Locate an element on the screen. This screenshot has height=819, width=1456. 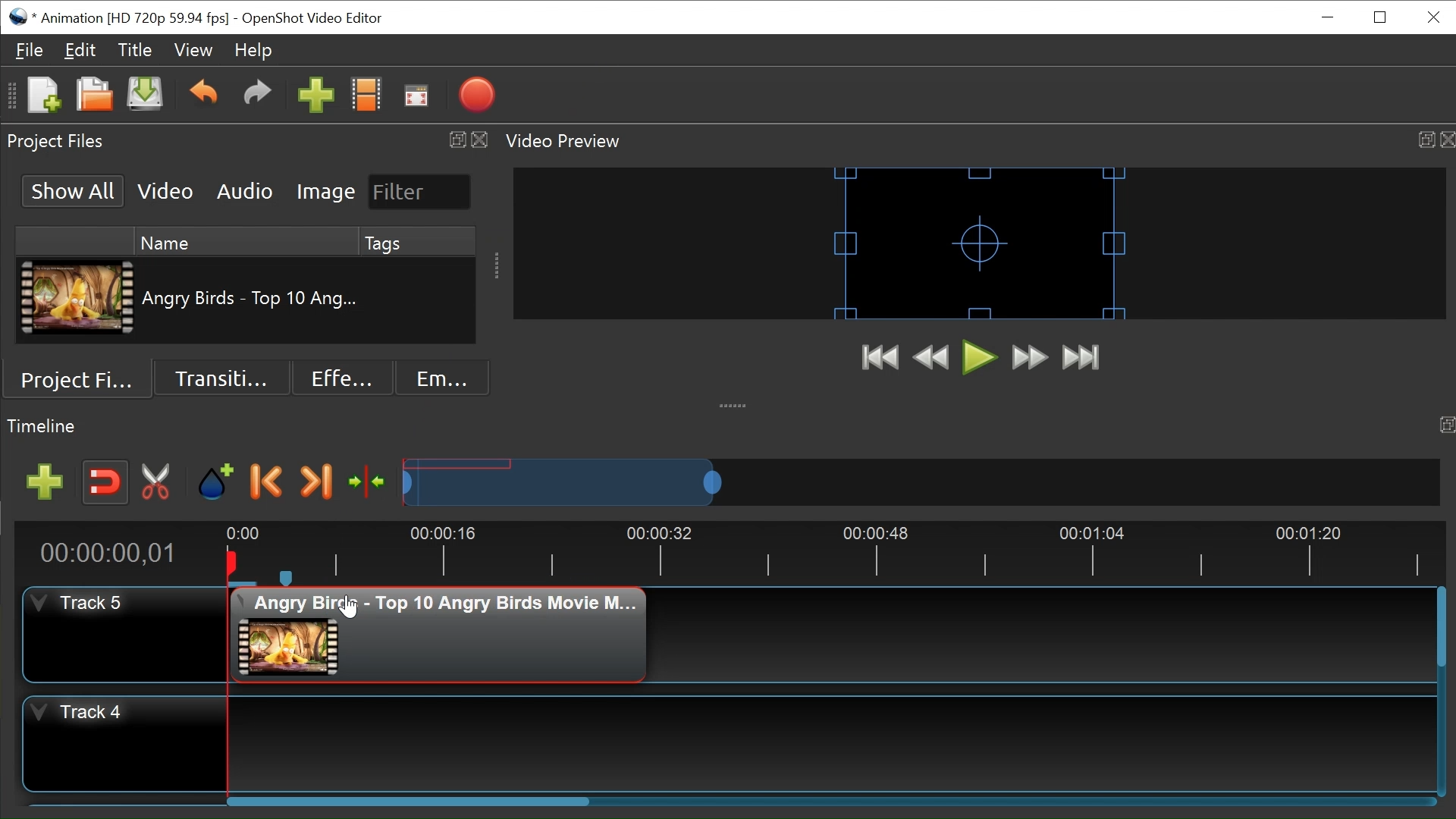
Transition is located at coordinates (221, 378).